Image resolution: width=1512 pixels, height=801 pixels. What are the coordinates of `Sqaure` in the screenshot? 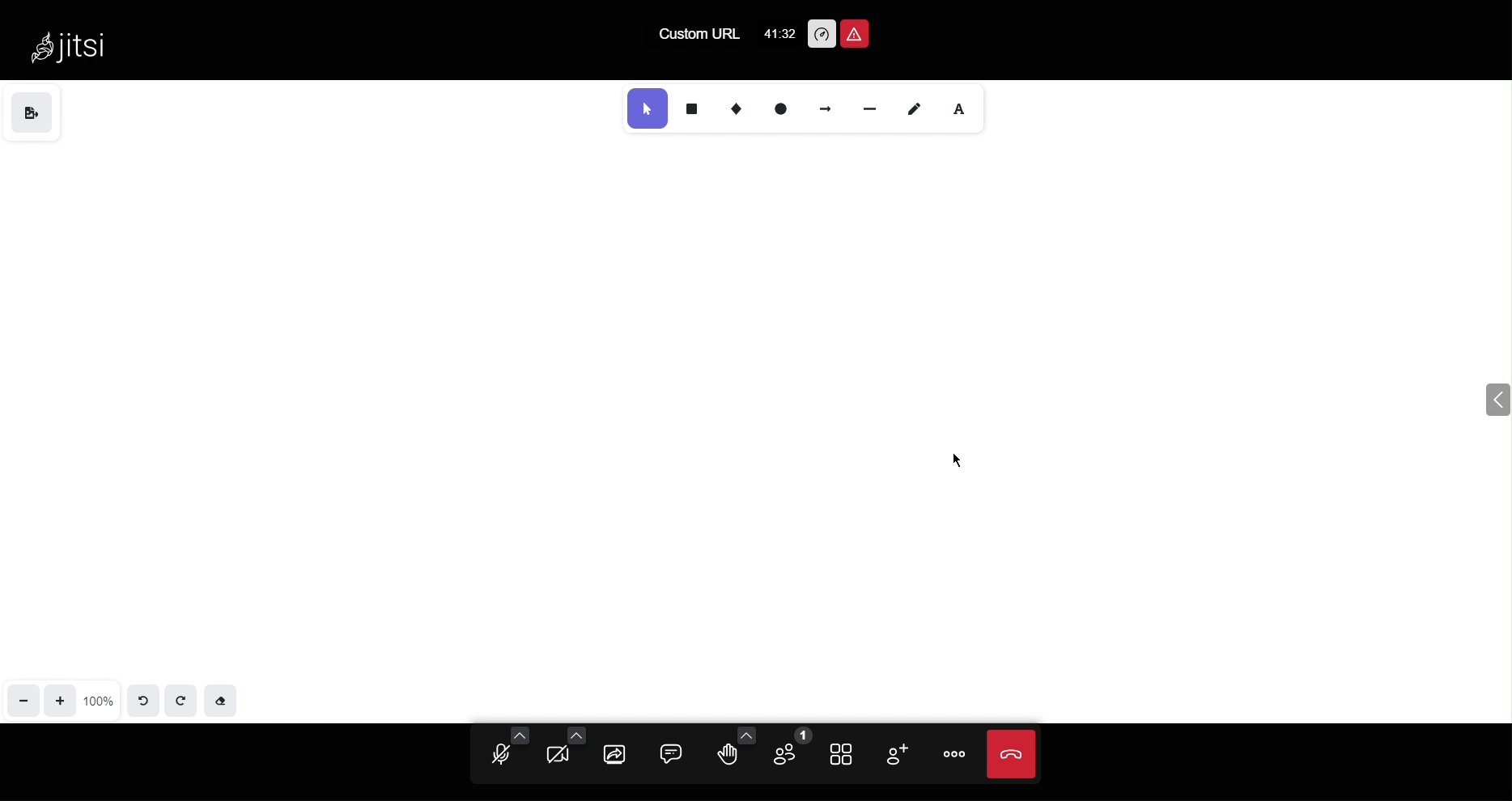 It's located at (691, 108).